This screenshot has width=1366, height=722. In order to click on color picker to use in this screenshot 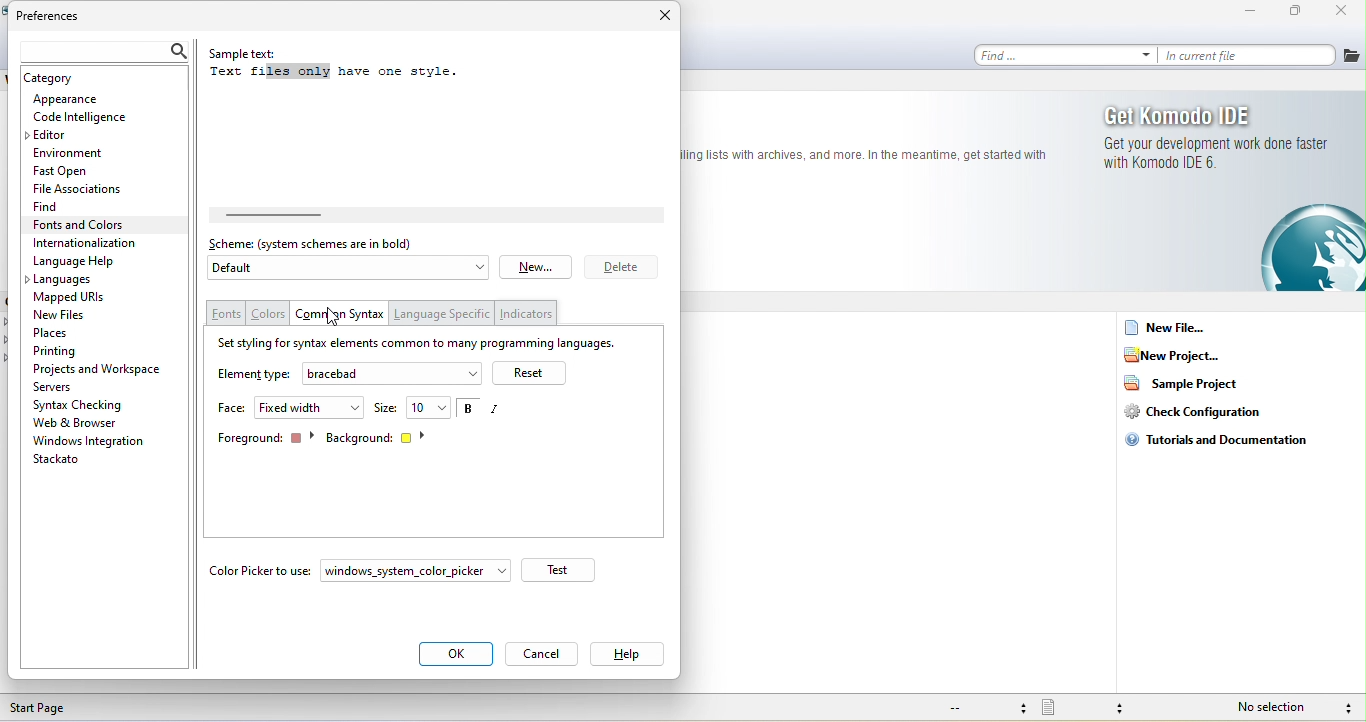, I will do `click(261, 570)`.